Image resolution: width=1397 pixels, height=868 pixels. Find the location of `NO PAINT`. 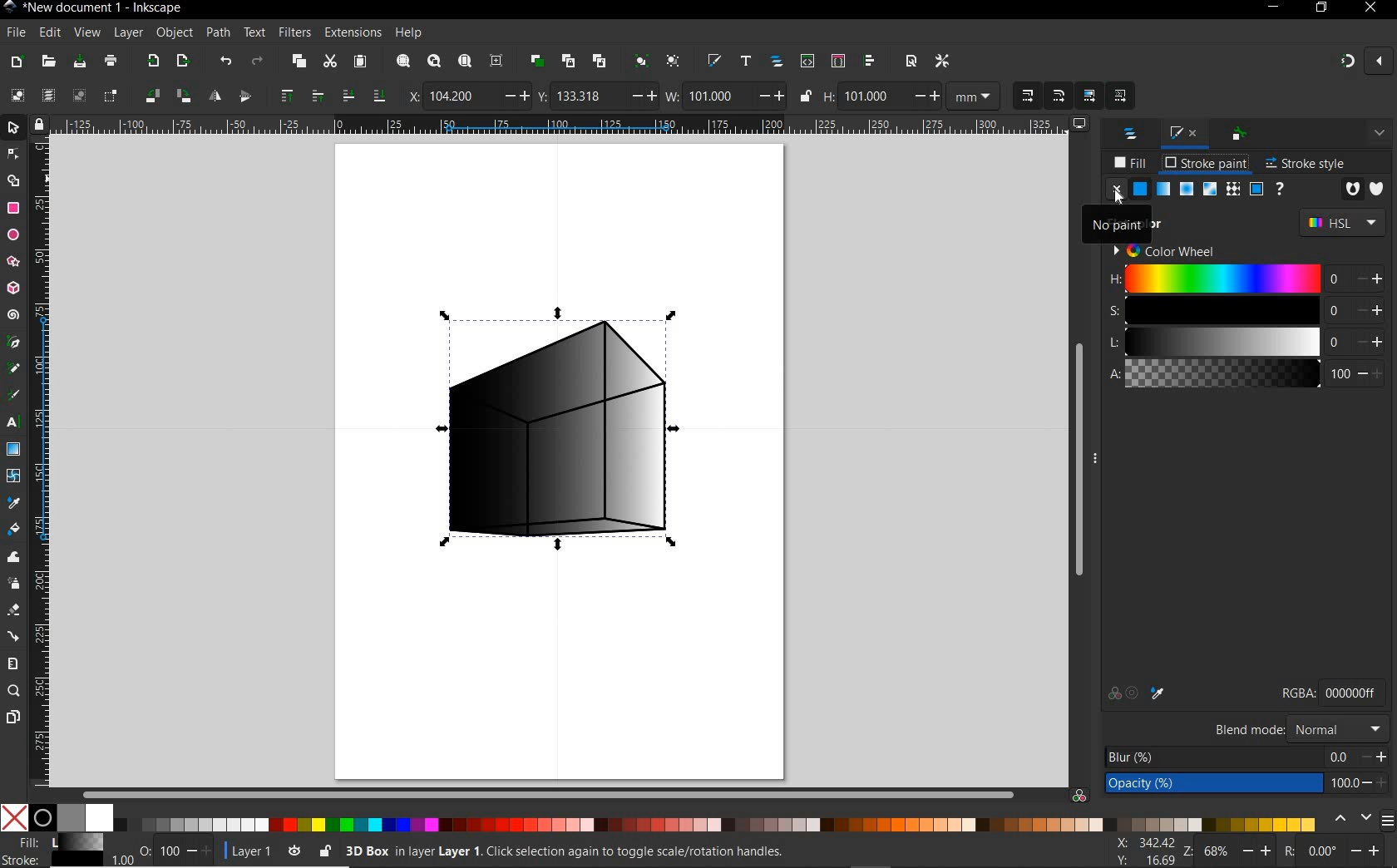

NO PAINT is located at coordinates (1117, 220).